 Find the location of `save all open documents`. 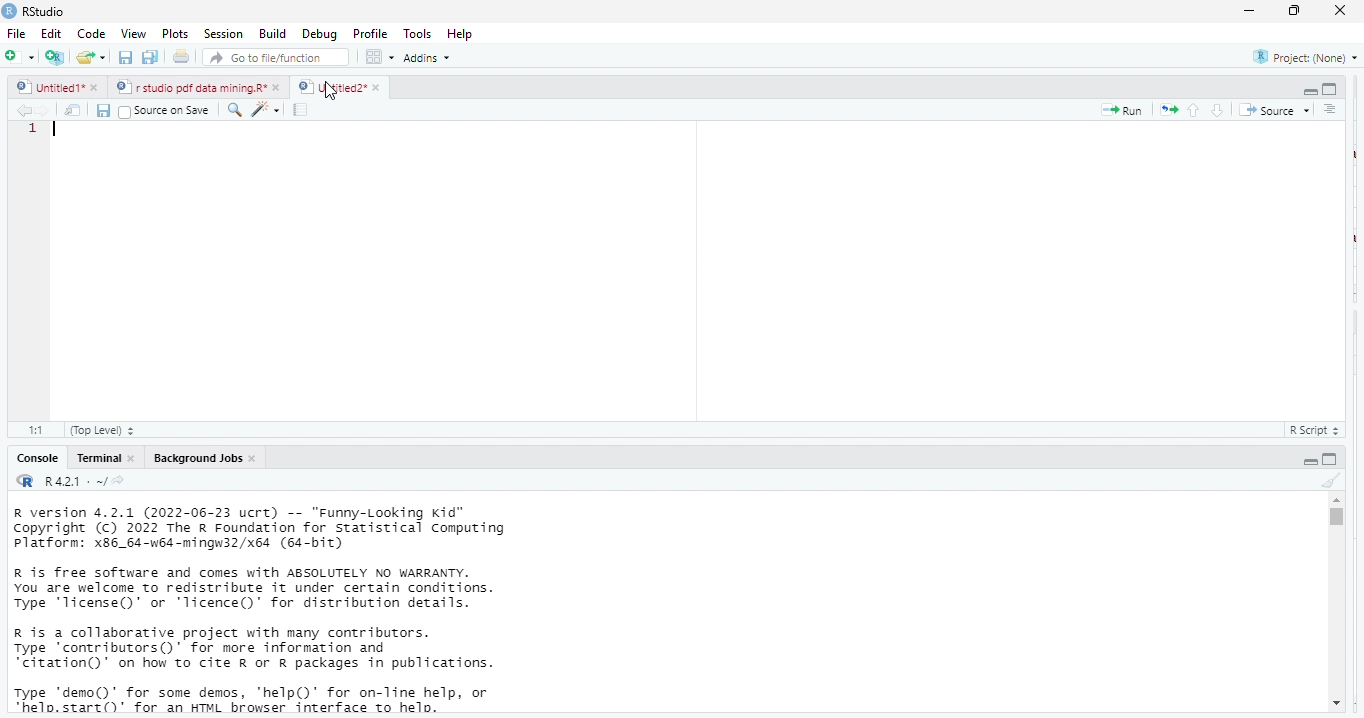

save all open documents is located at coordinates (151, 58).